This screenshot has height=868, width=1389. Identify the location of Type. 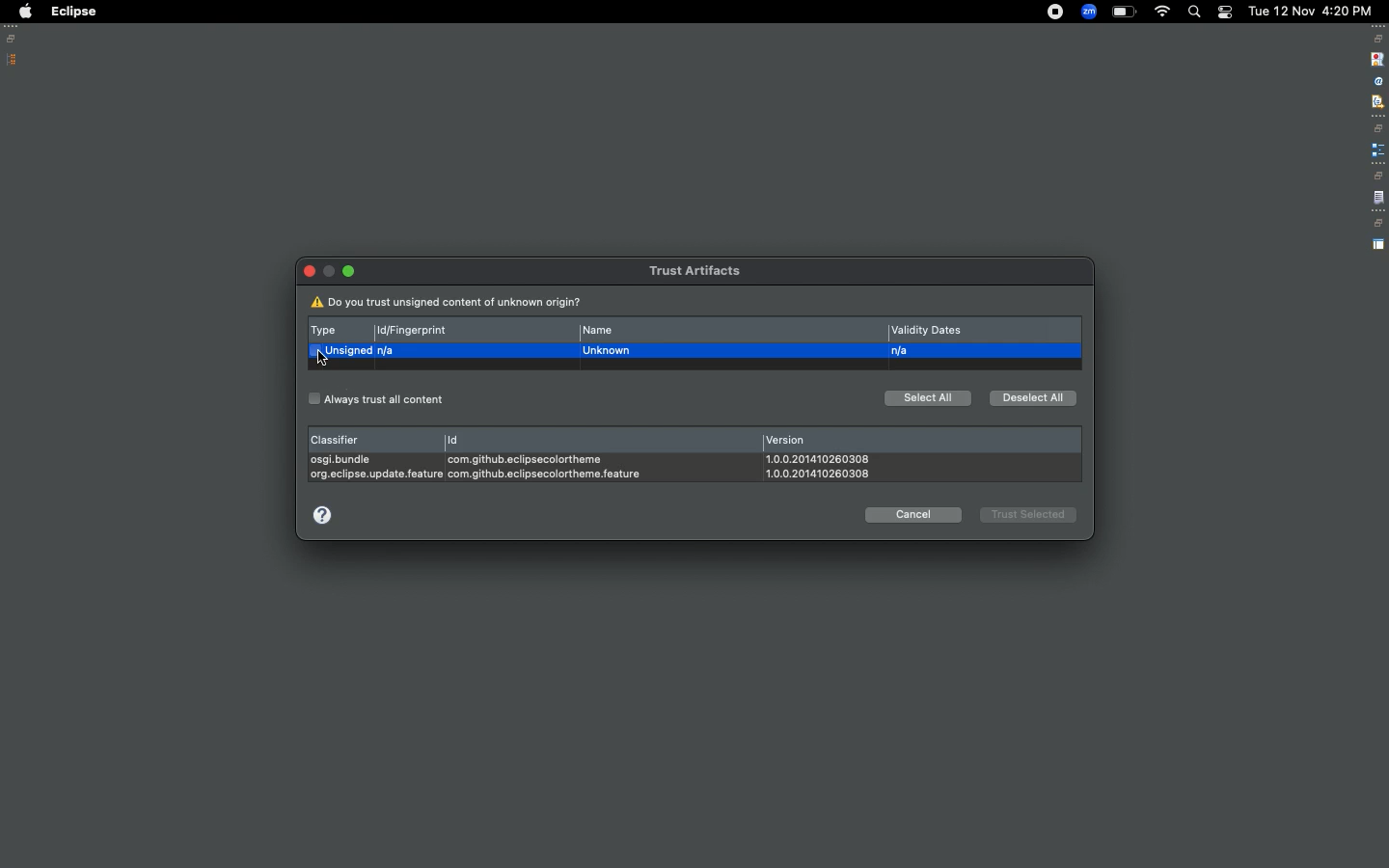
(330, 328).